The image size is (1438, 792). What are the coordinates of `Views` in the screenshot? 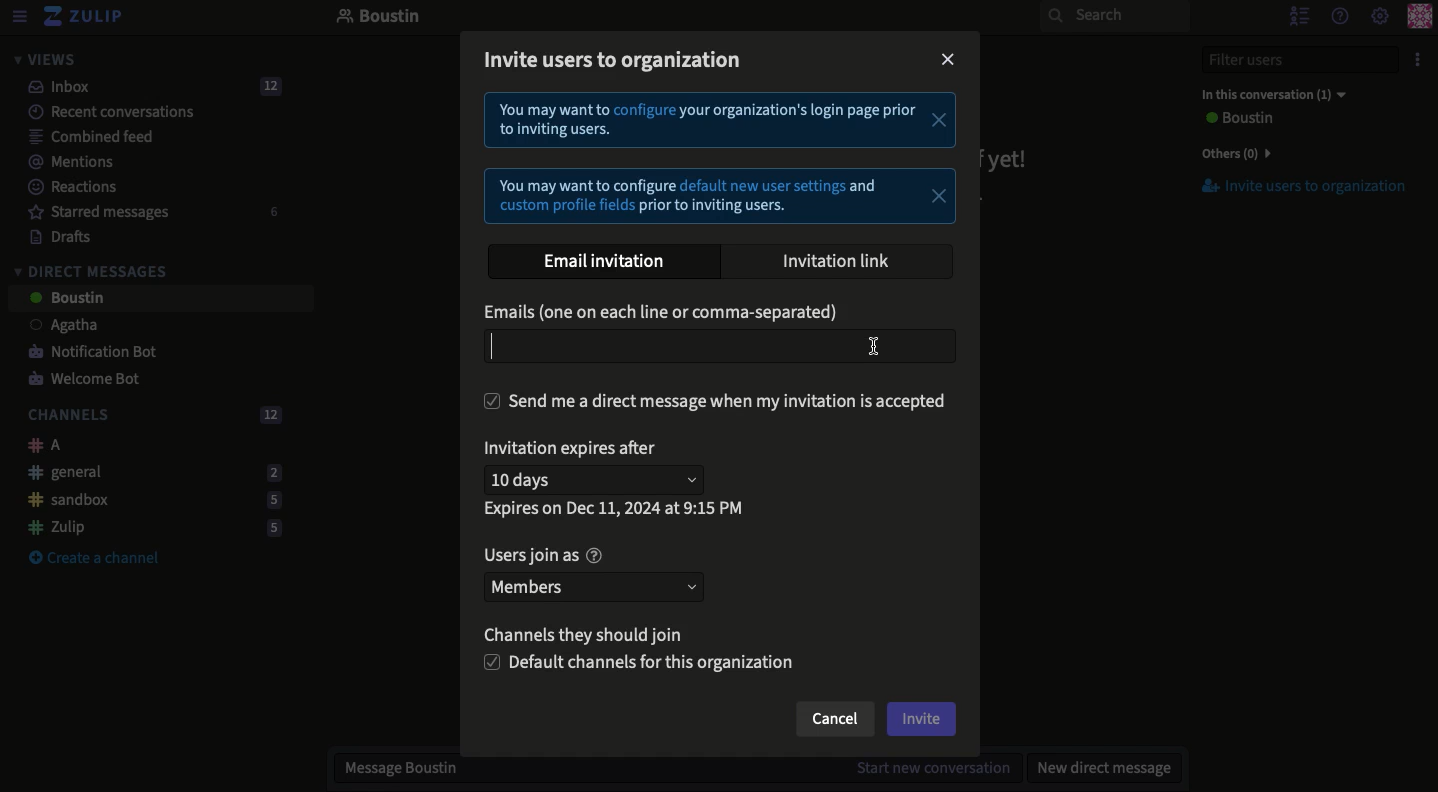 It's located at (44, 59).